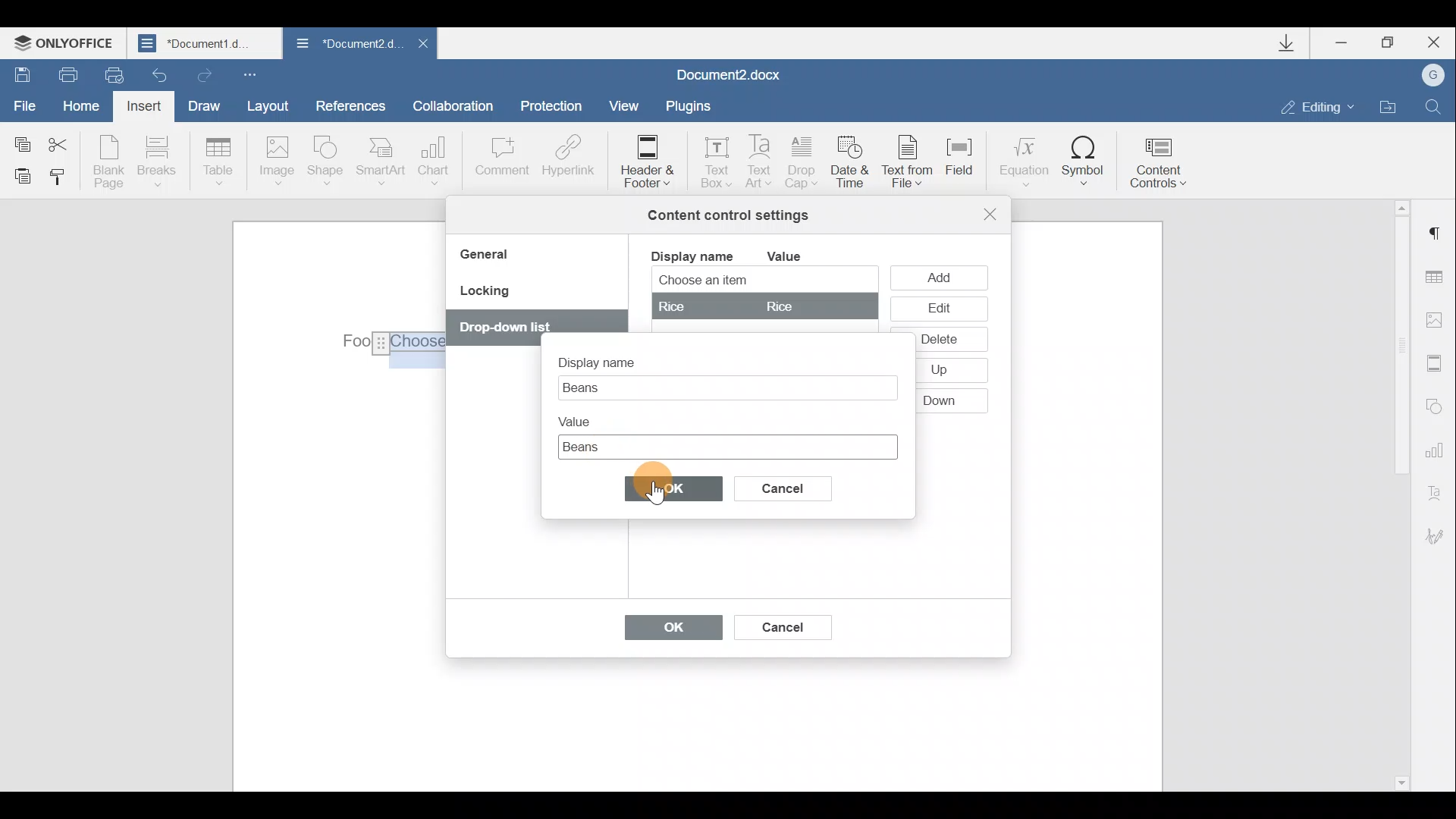 Image resolution: width=1456 pixels, height=819 pixels. What do you see at coordinates (625, 105) in the screenshot?
I see `View` at bounding box center [625, 105].